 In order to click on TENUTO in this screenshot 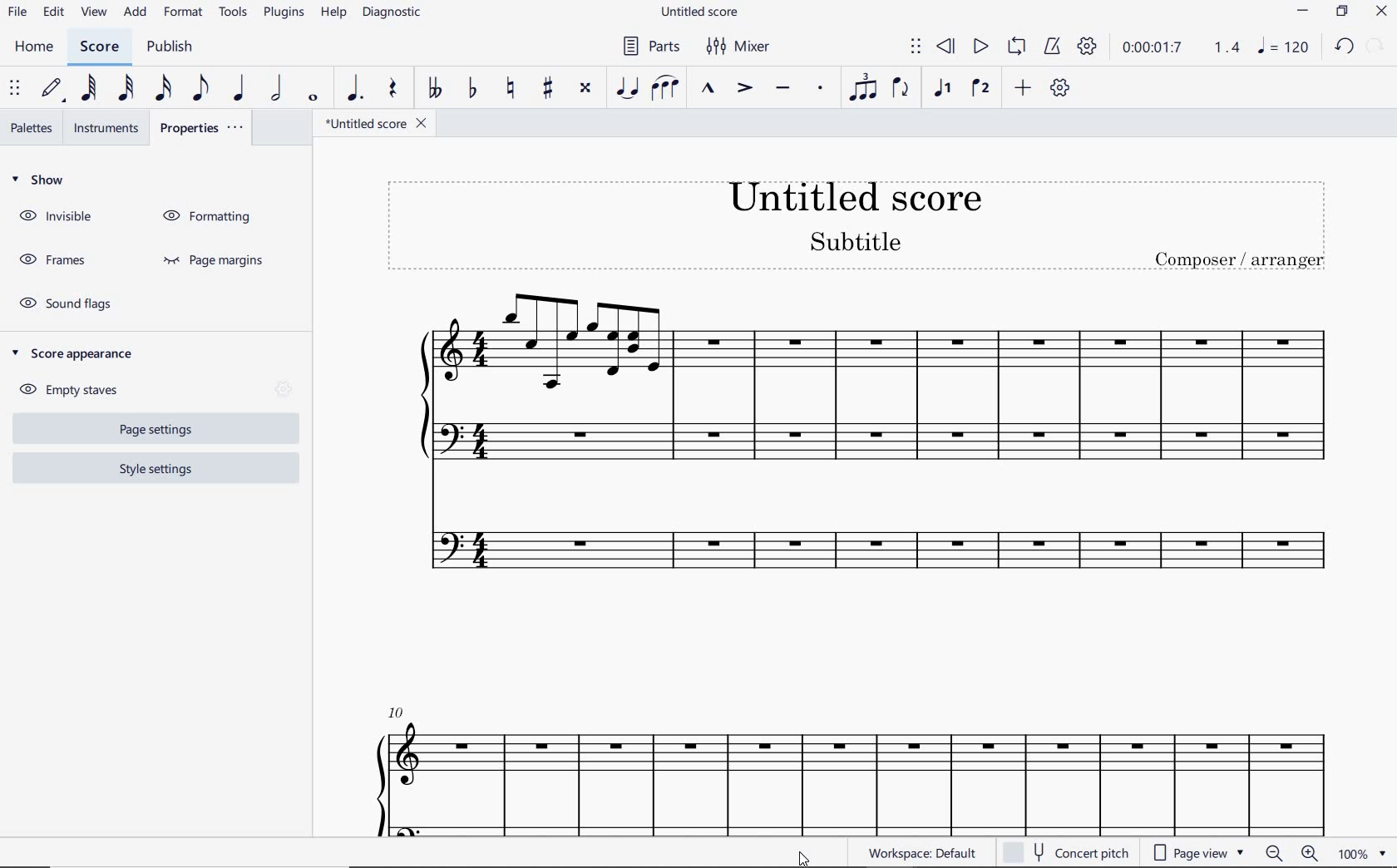, I will do `click(783, 89)`.